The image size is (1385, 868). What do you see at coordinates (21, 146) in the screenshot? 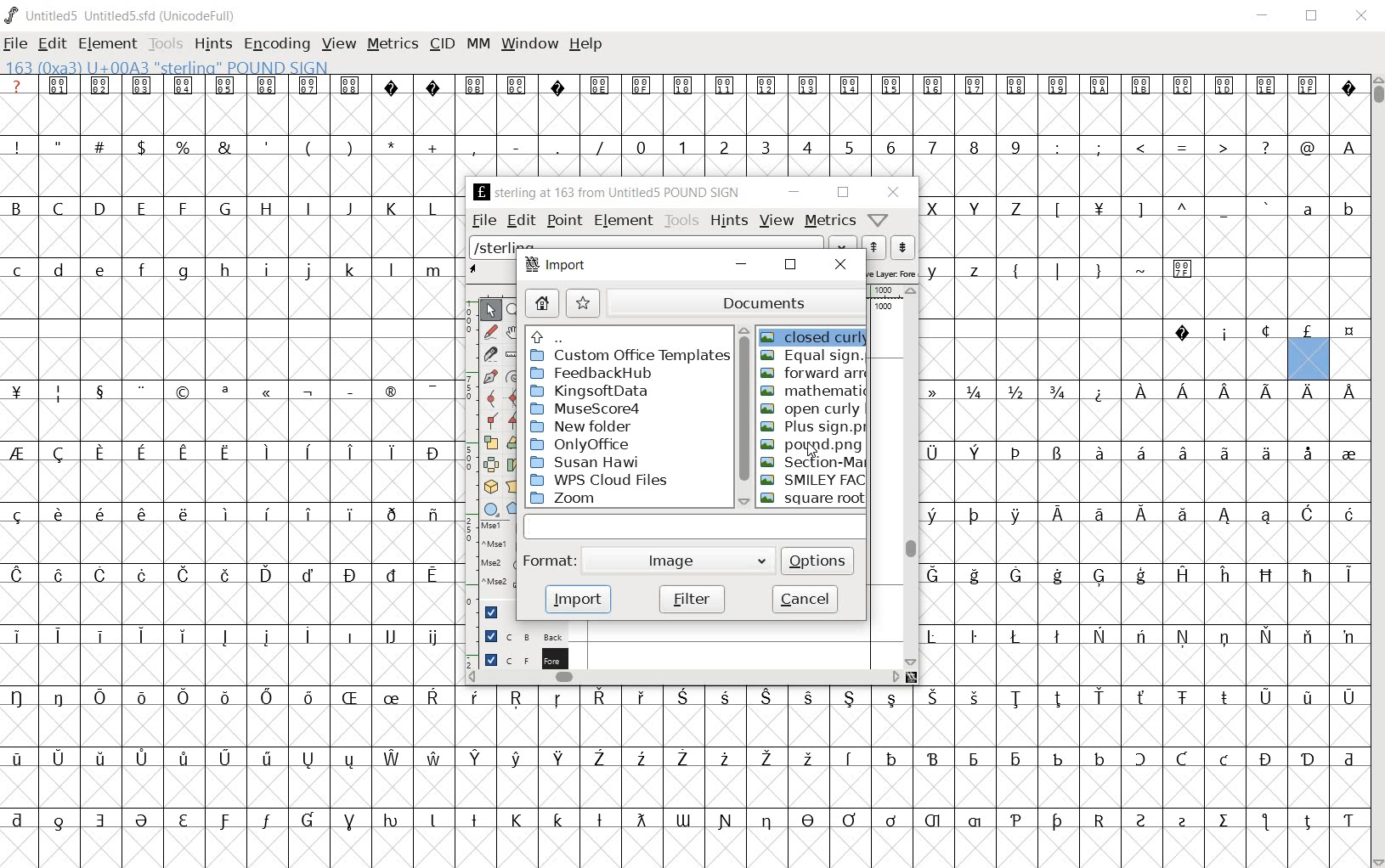
I see `!` at bounding box center [21, 146].